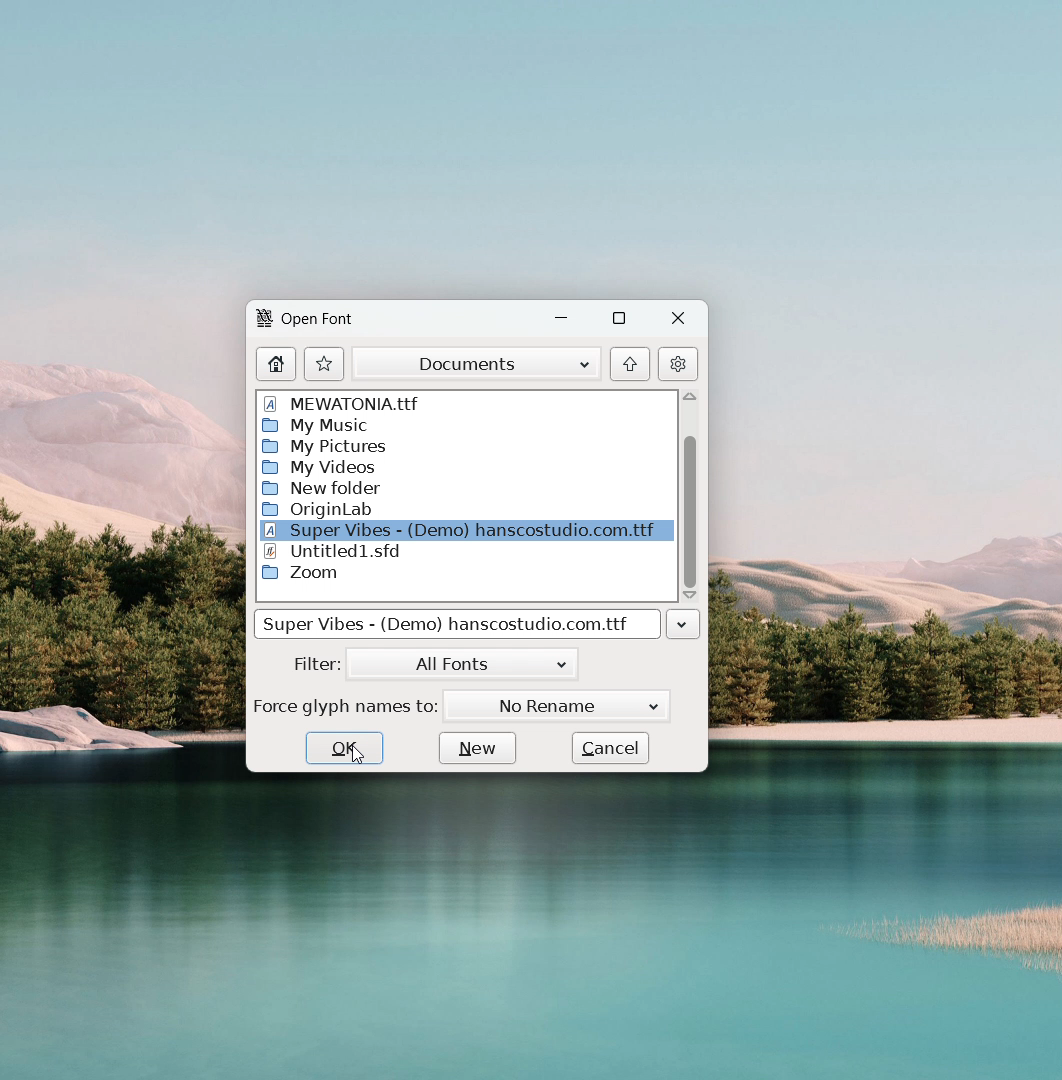 The height and width of the screenshot is (1080, 1062). I want to click on ok, so click(344, 749).